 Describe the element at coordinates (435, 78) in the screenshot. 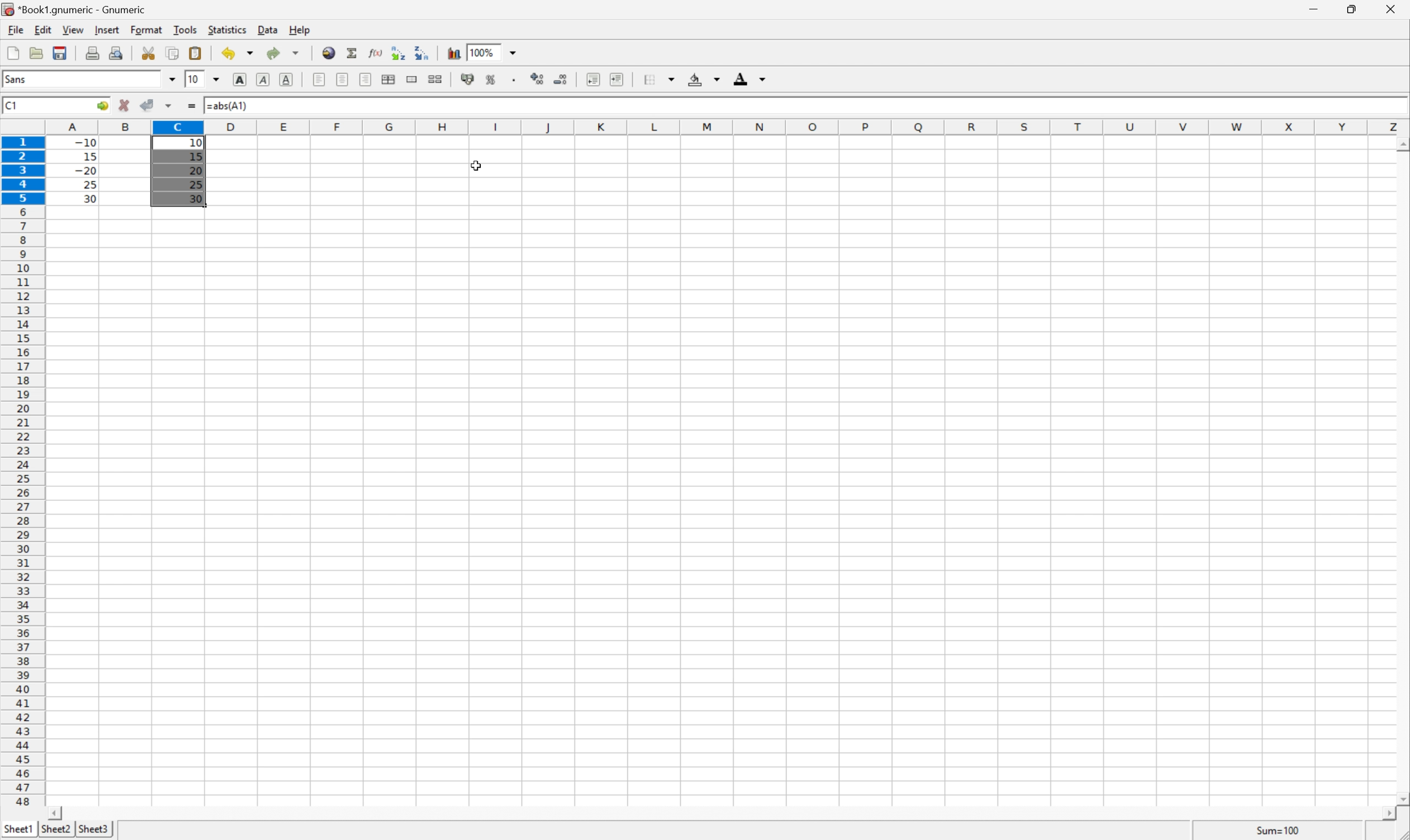

I see `split merged ranges of cells` at that location.